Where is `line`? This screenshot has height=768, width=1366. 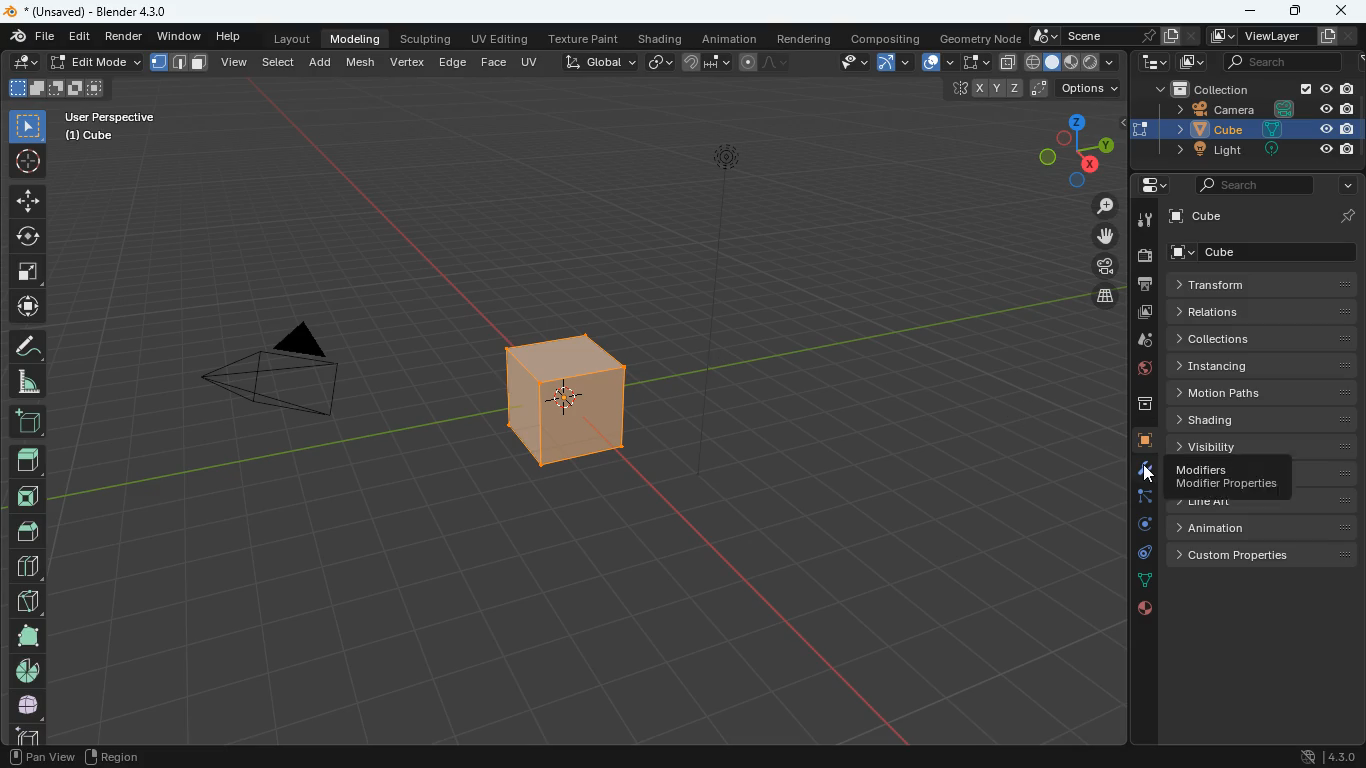
line is located at coordinates (1206, 504).